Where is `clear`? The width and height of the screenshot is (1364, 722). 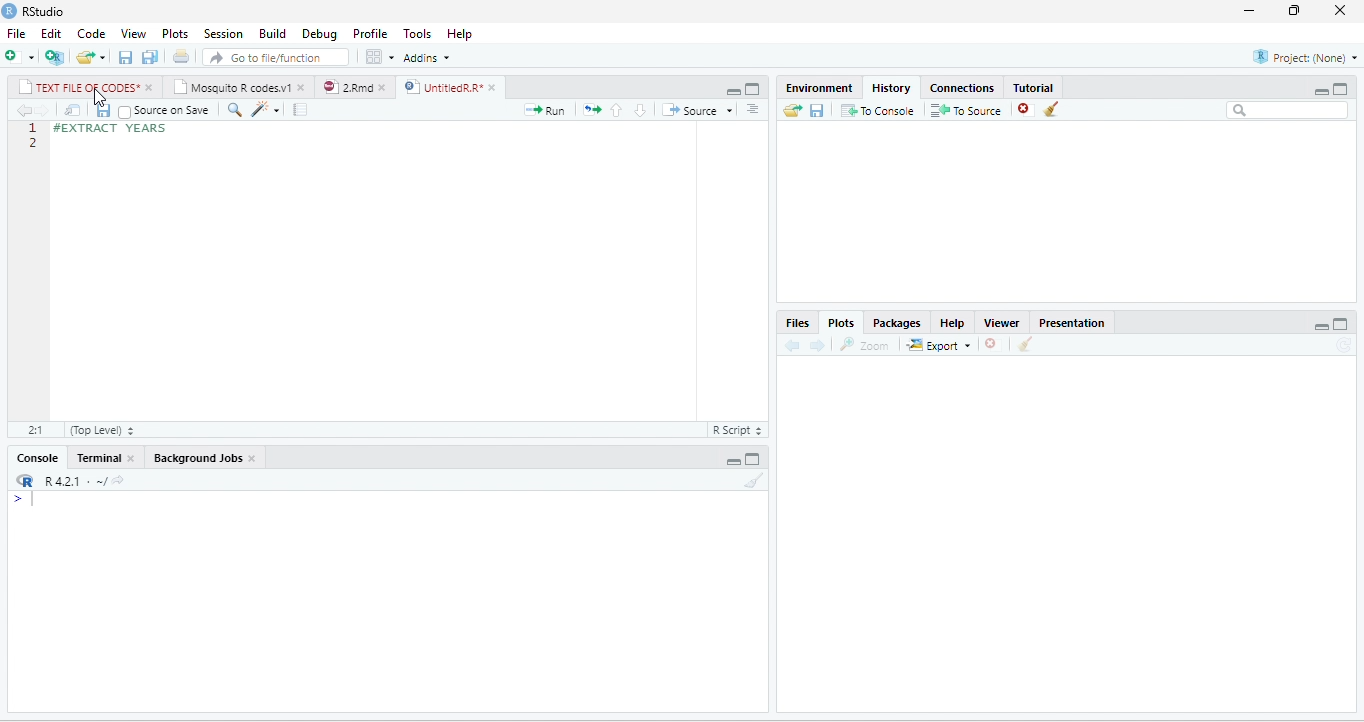
clear is located at coordinates (1052, 109).